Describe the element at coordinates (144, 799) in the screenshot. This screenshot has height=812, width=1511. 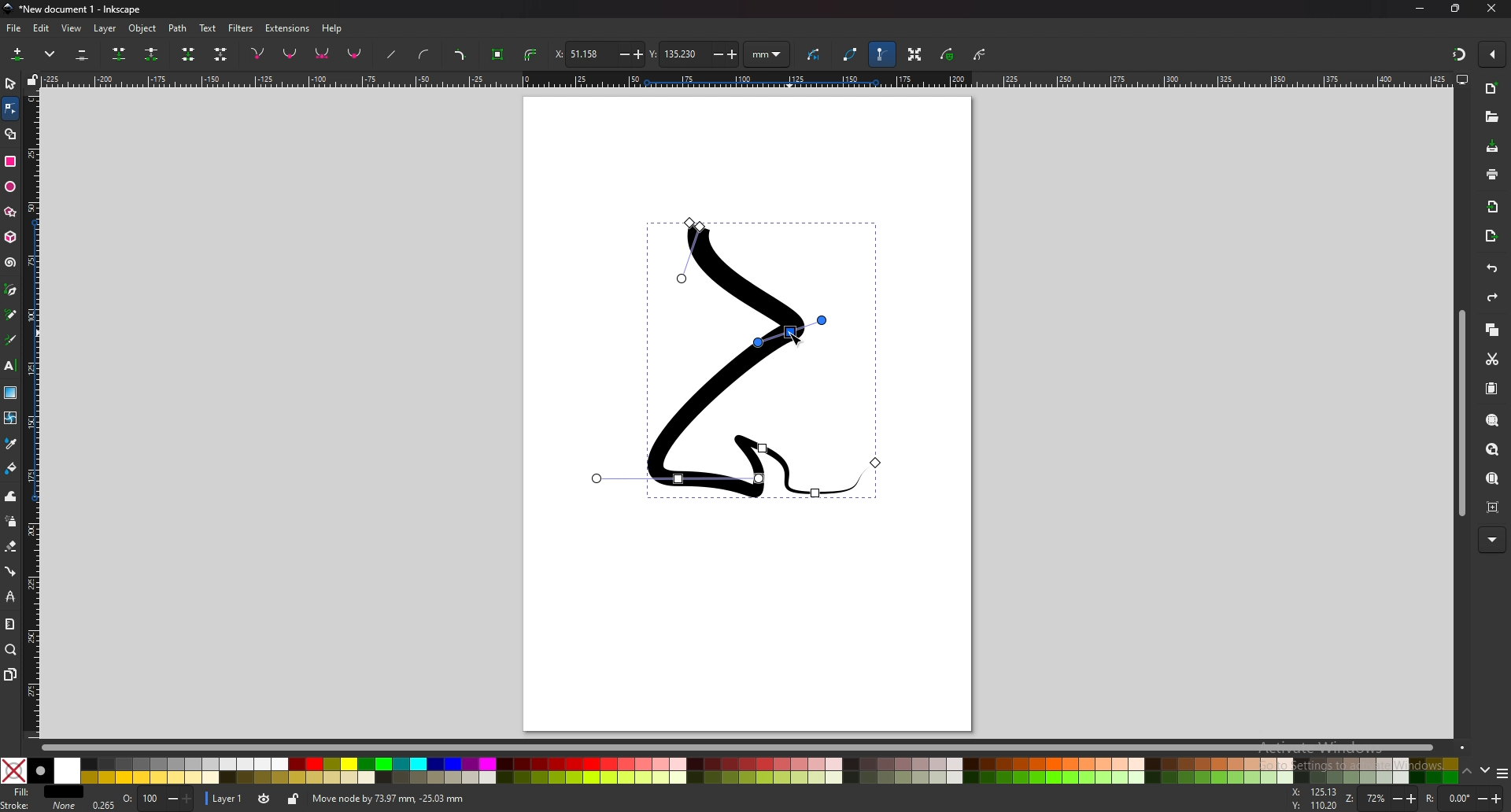
I see `opacity` at that location.